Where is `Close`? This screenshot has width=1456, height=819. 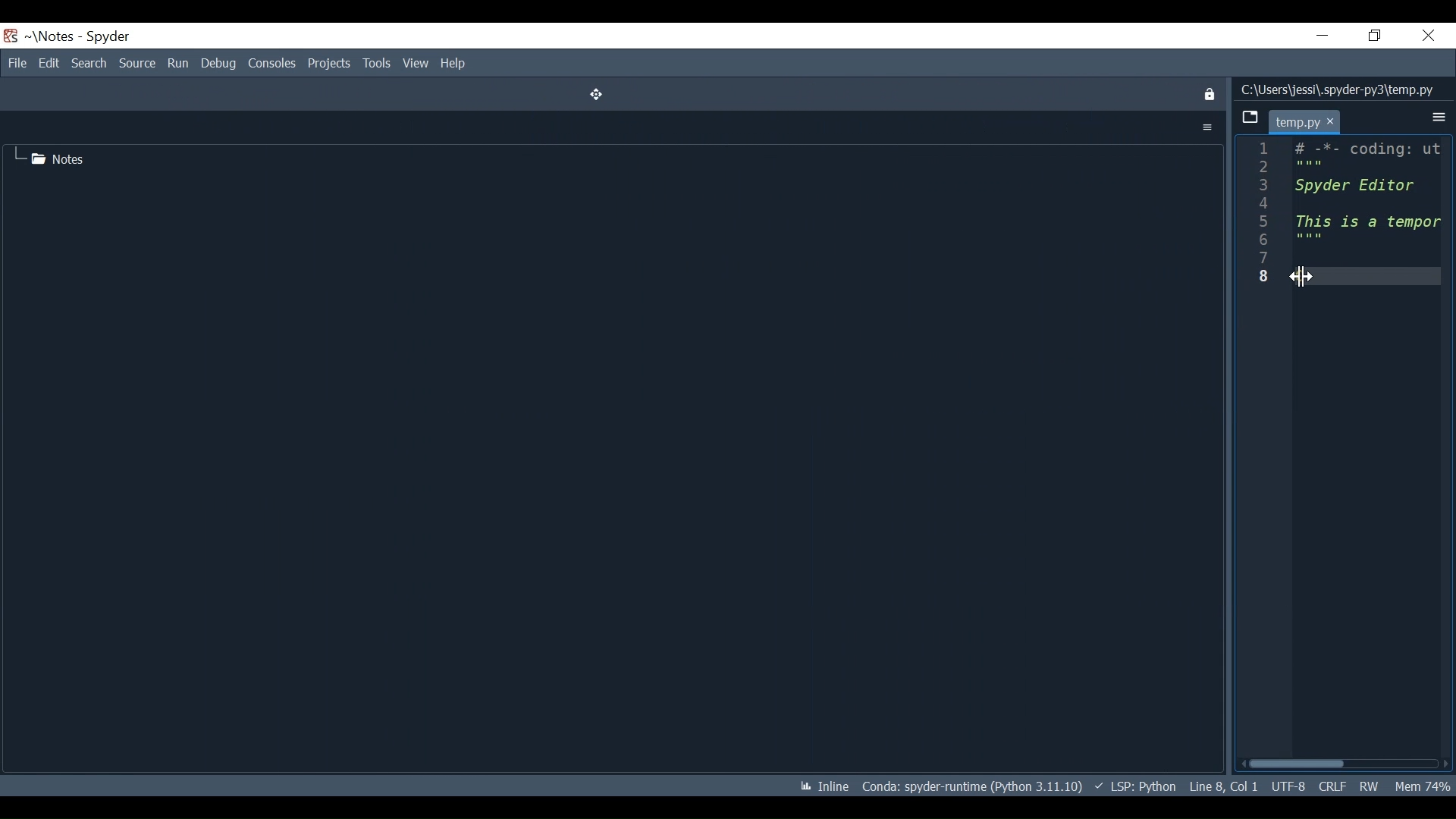 Close is located at coordinates (1208, 95).